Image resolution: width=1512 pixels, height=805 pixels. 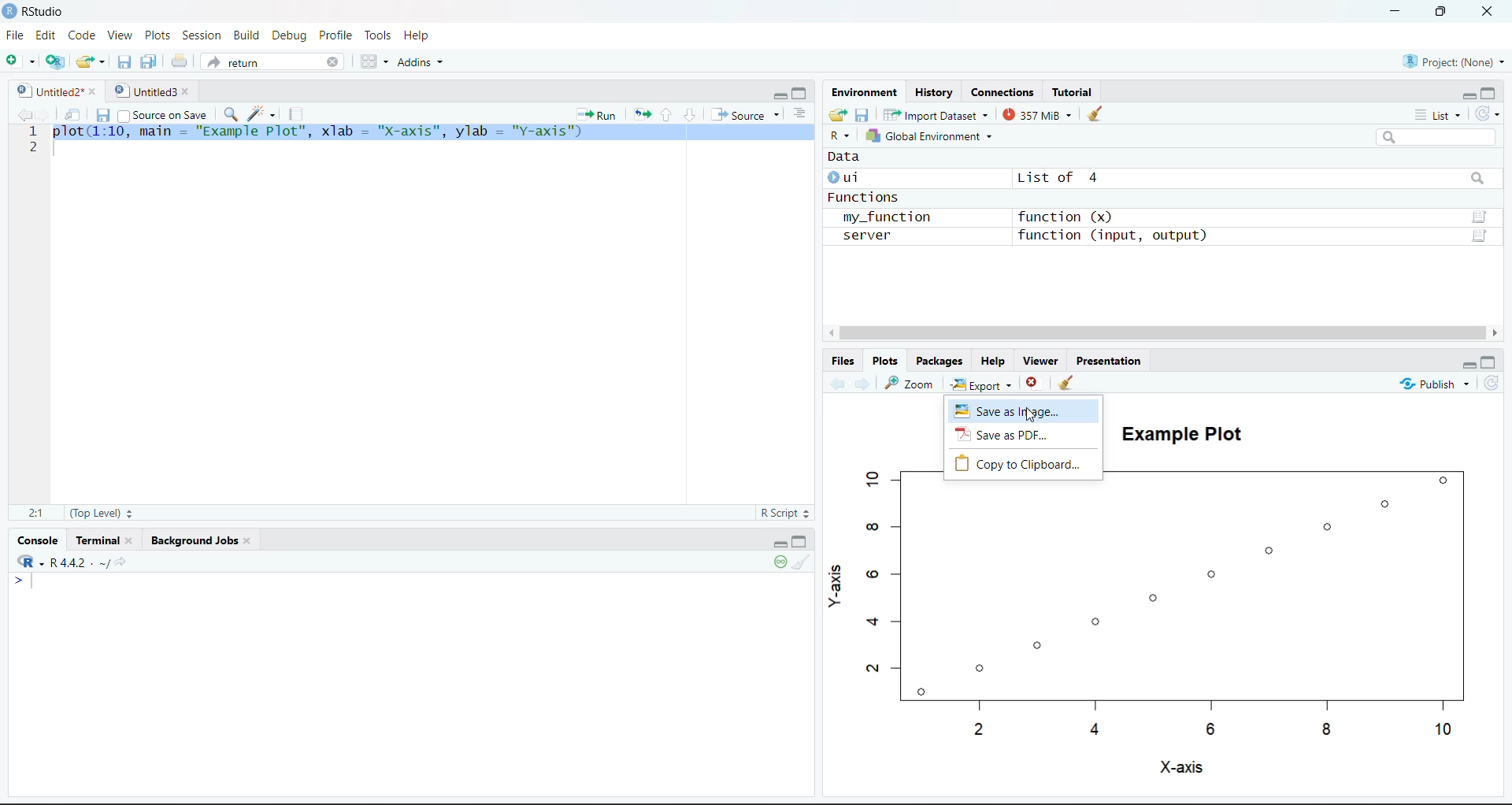 I want to click on 357kib used by R session (Source: Windows System), so click(x=1038, y=114).